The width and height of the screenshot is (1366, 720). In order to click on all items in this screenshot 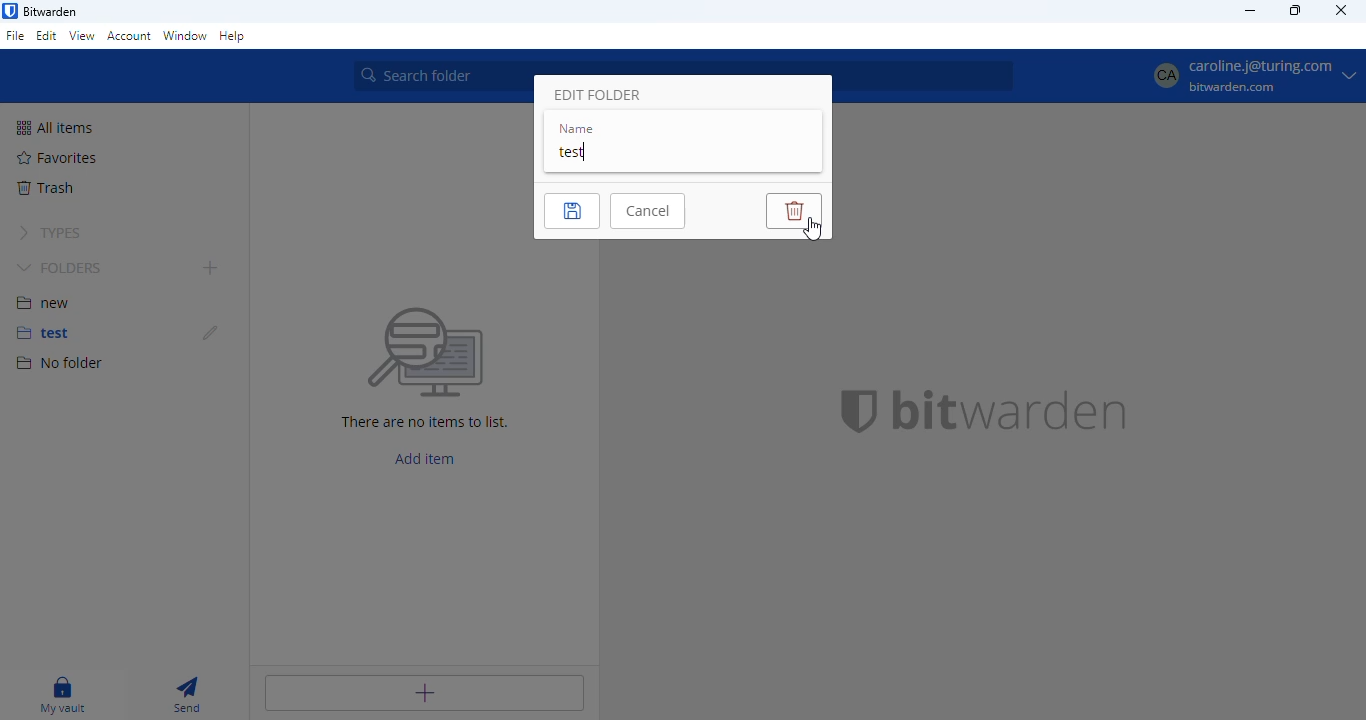, I will do `click(60, 128)`.